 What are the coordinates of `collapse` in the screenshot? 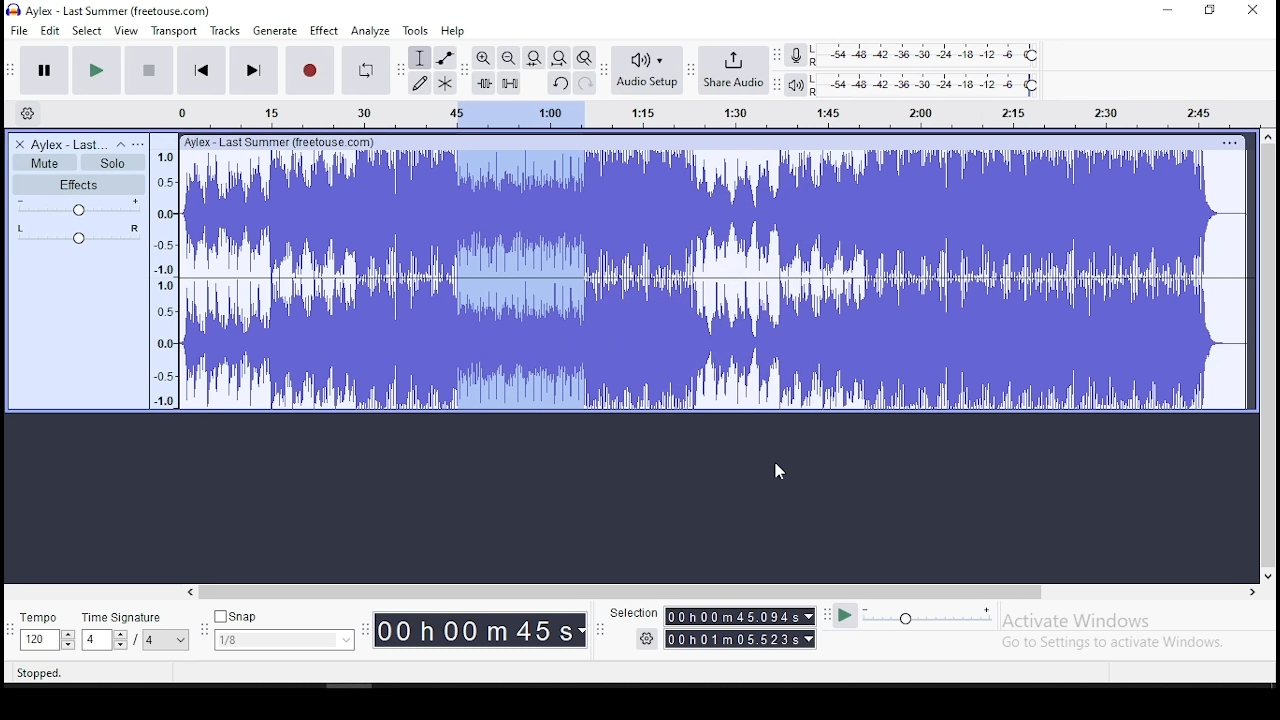 It's located at (120, 145).